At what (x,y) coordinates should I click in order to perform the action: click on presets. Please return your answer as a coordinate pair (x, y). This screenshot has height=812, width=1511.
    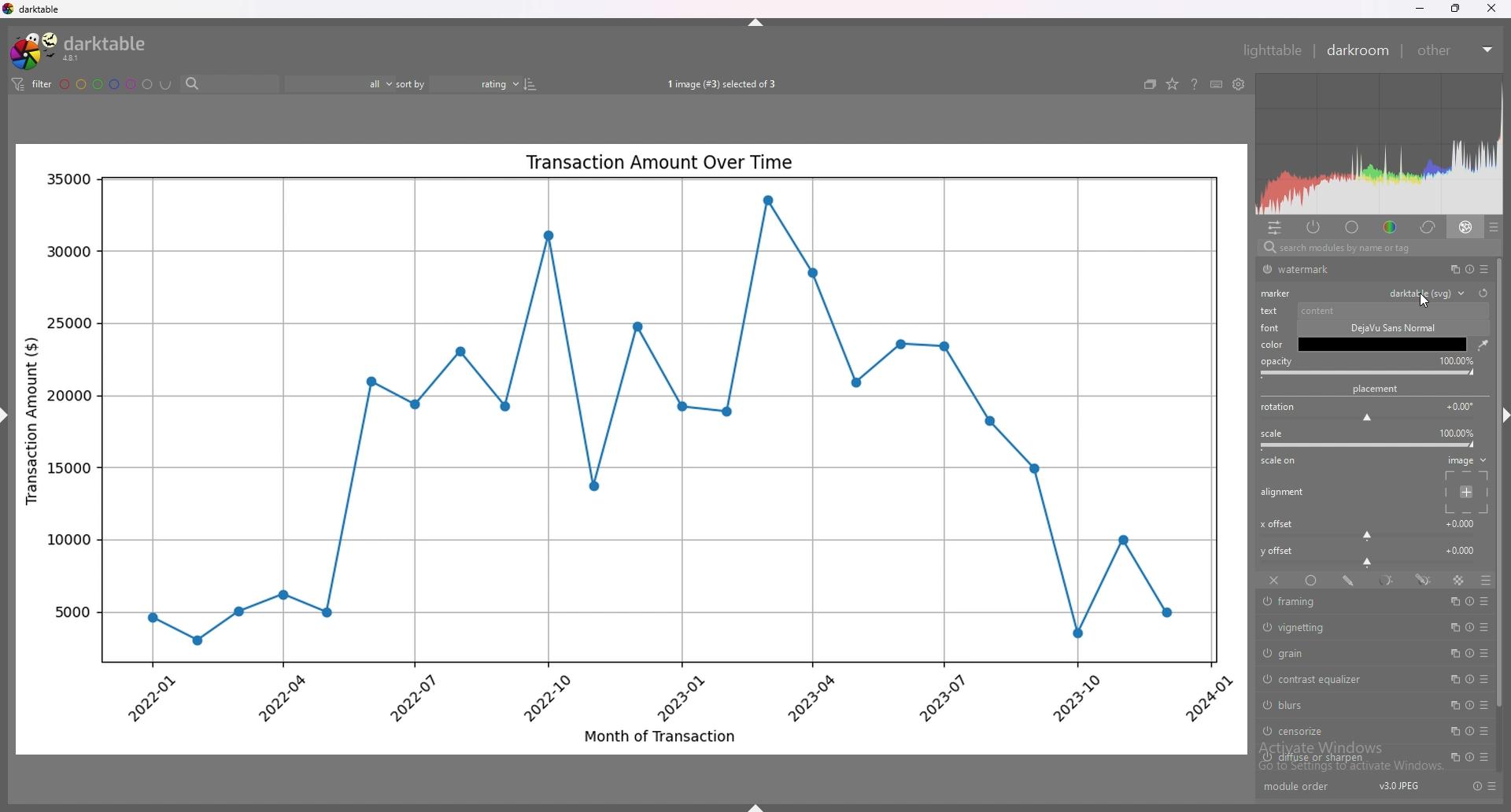
    Looking at the image, I should click on (1485, 654).